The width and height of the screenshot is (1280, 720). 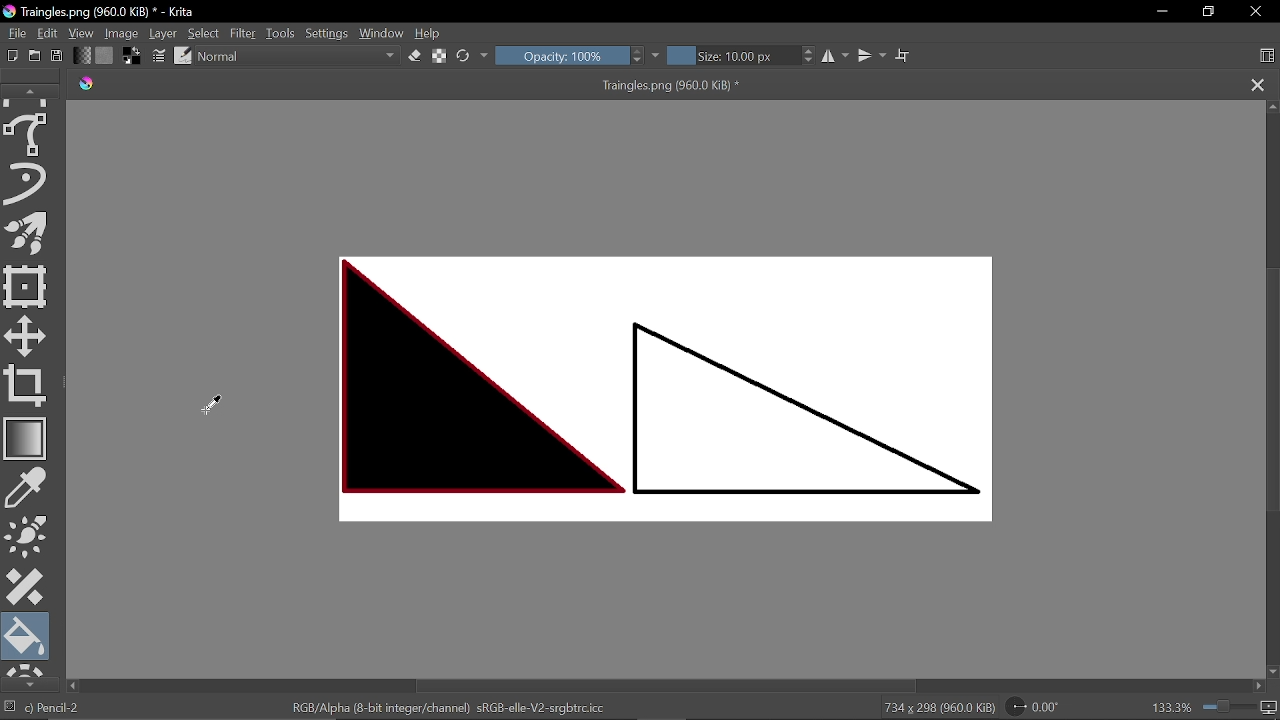 I want to click on app icon, so click(x=87, y=85).